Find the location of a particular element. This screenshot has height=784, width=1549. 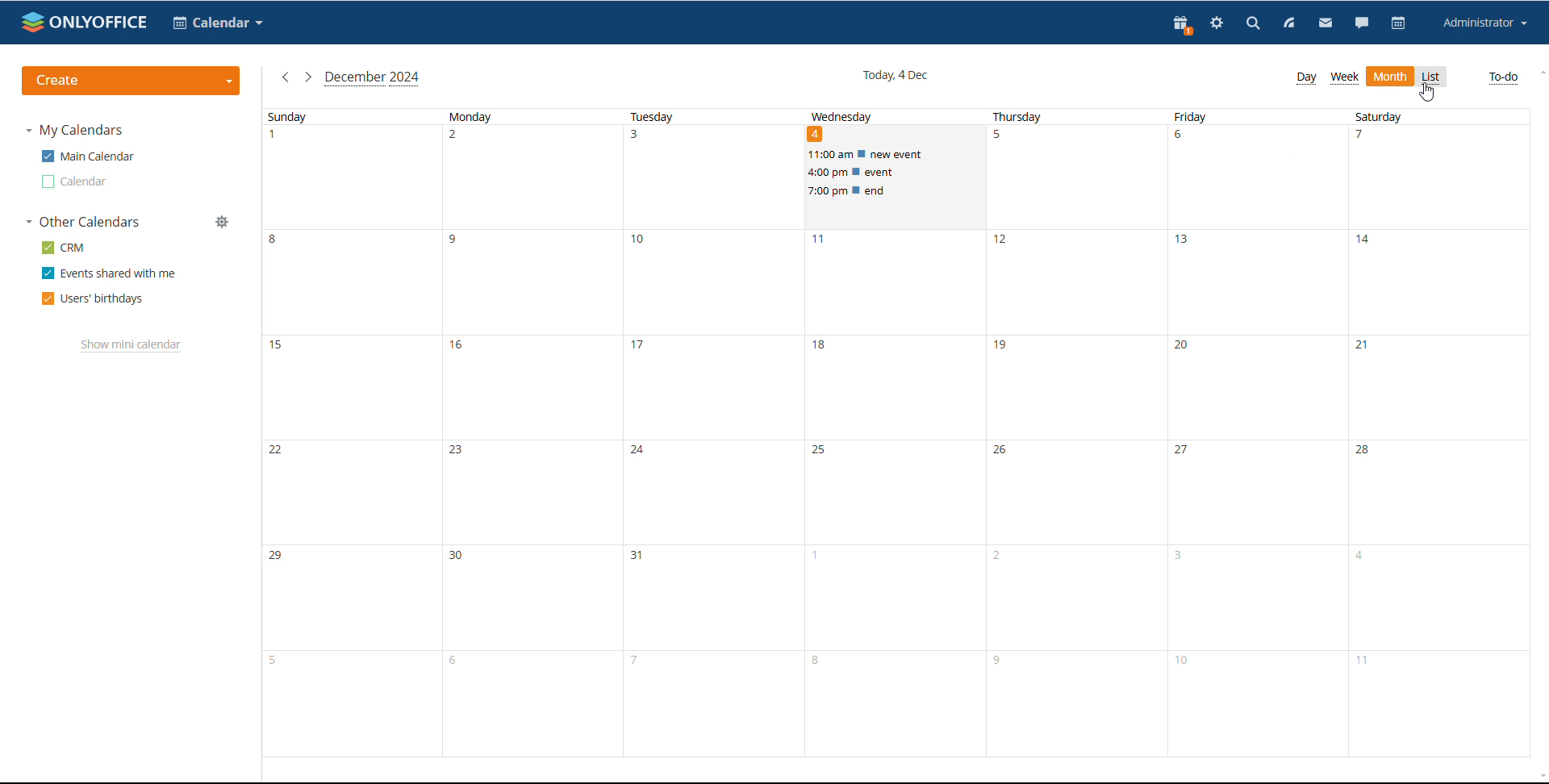

present is located at coordinates (1181, 25).